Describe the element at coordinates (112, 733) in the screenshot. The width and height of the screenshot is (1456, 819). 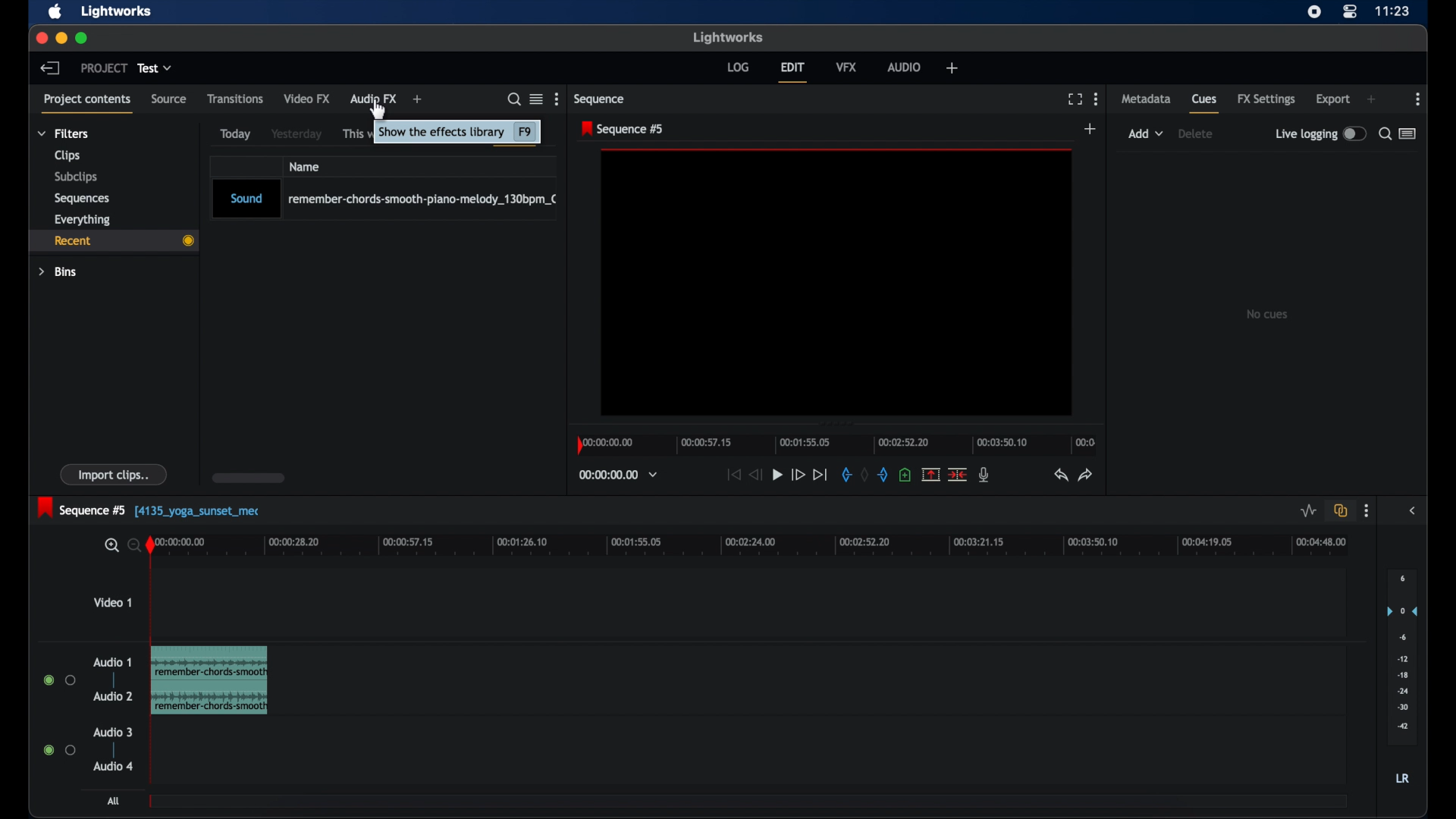
I see `audio 3` at that location.